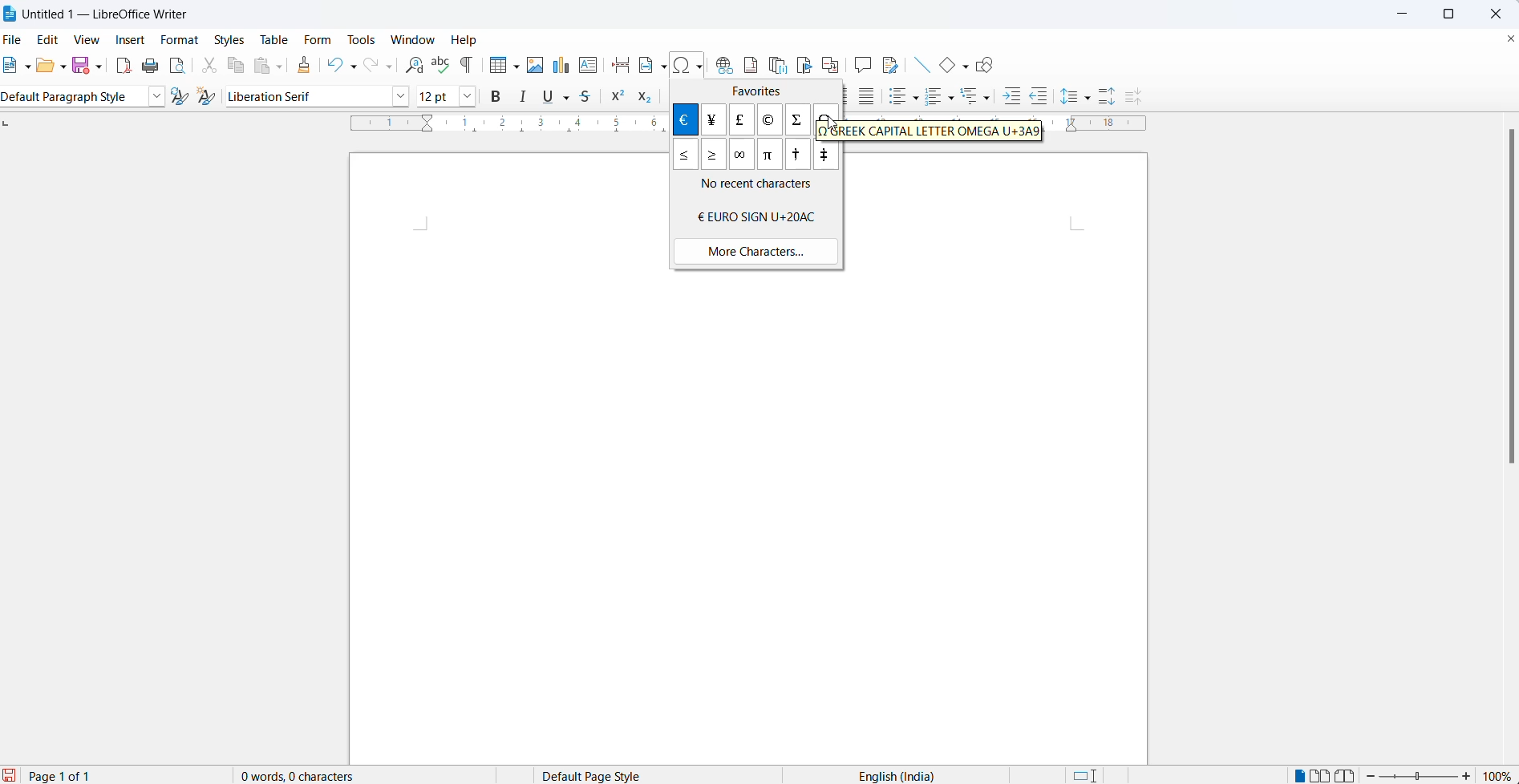  Describe the element at coordinates (15, 38) in the screenshot. I see `file` at that location.